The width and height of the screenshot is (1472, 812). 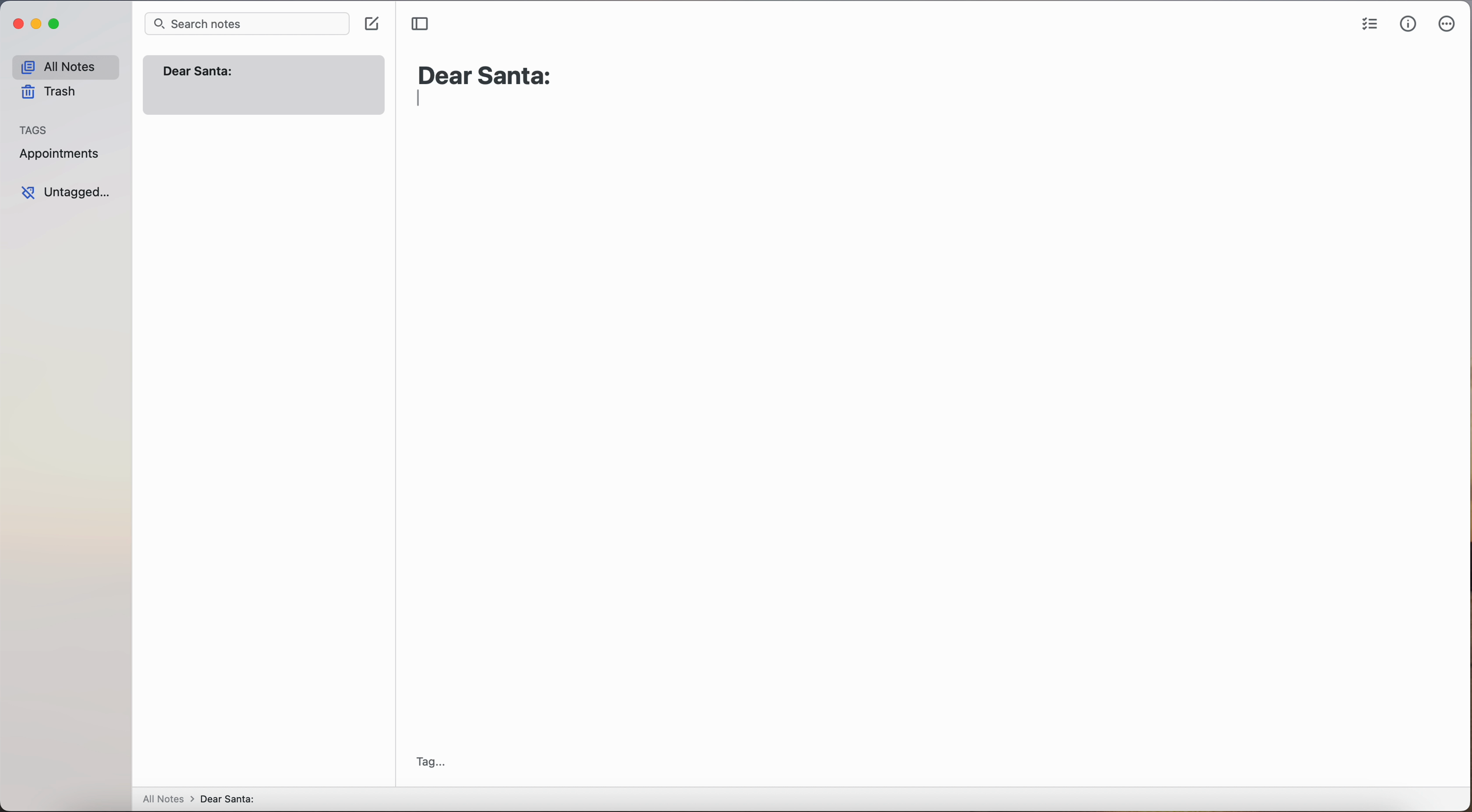 What do you see at coordinates (494, 75) in the screenshot?
I see `Dear Santa:` at bounding box center [494, 75].